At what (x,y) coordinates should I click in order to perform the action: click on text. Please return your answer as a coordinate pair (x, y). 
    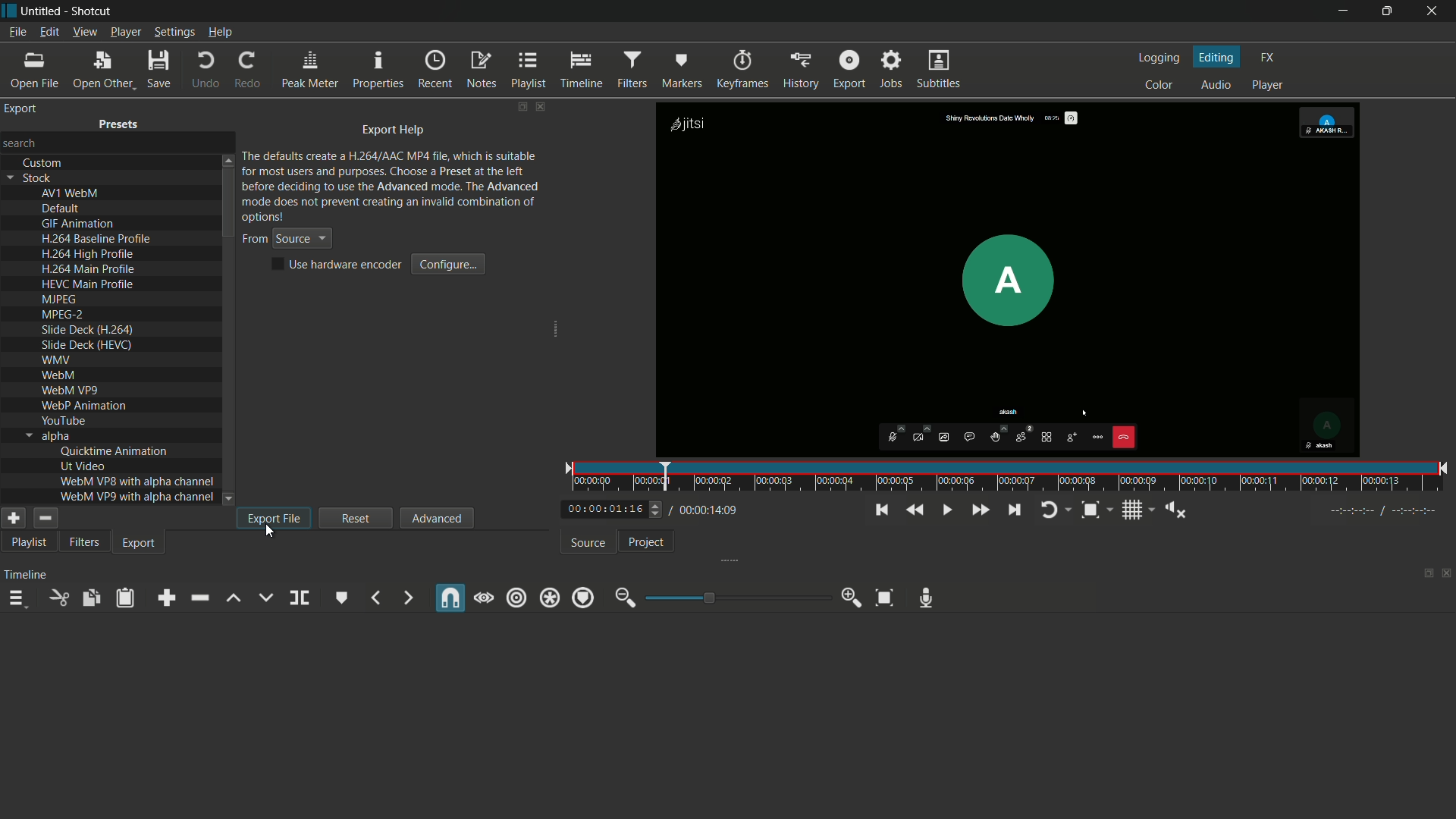
    Looking at the image, I should click on (336, 264).